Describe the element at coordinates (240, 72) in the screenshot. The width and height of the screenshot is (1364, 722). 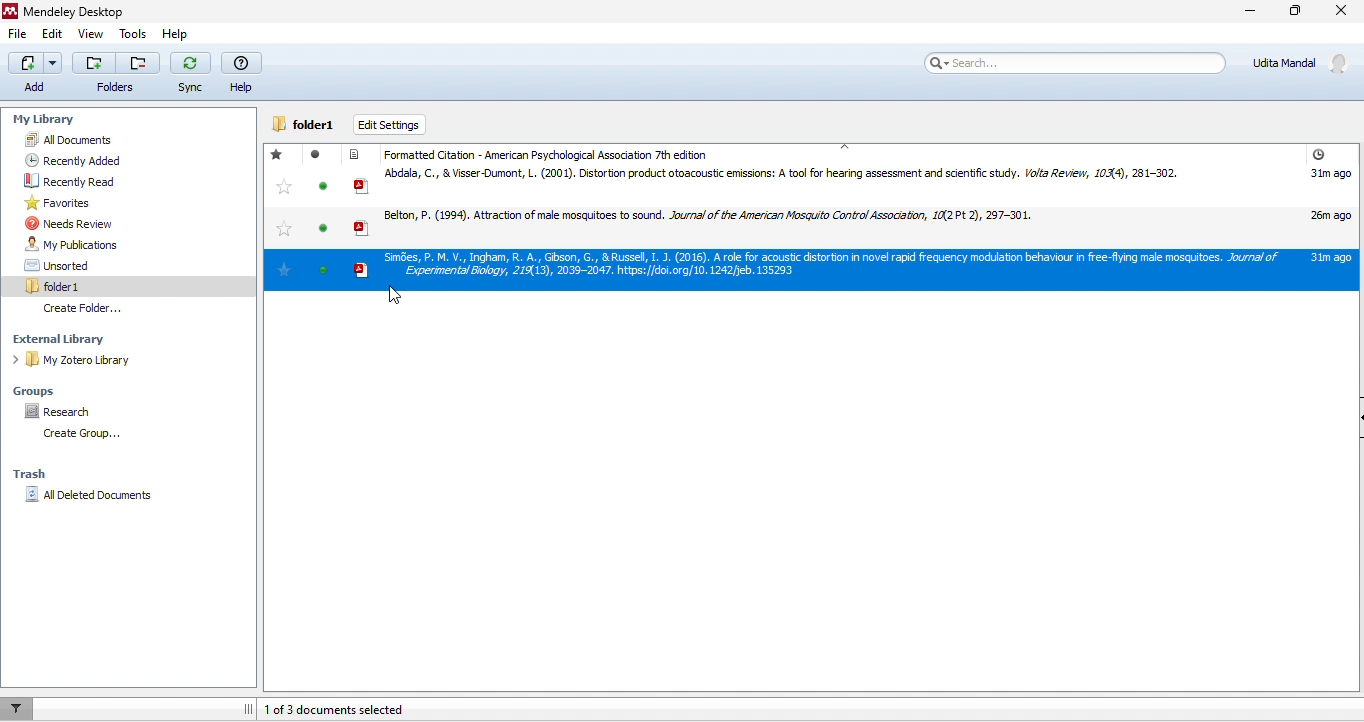
I see `help` at that location.